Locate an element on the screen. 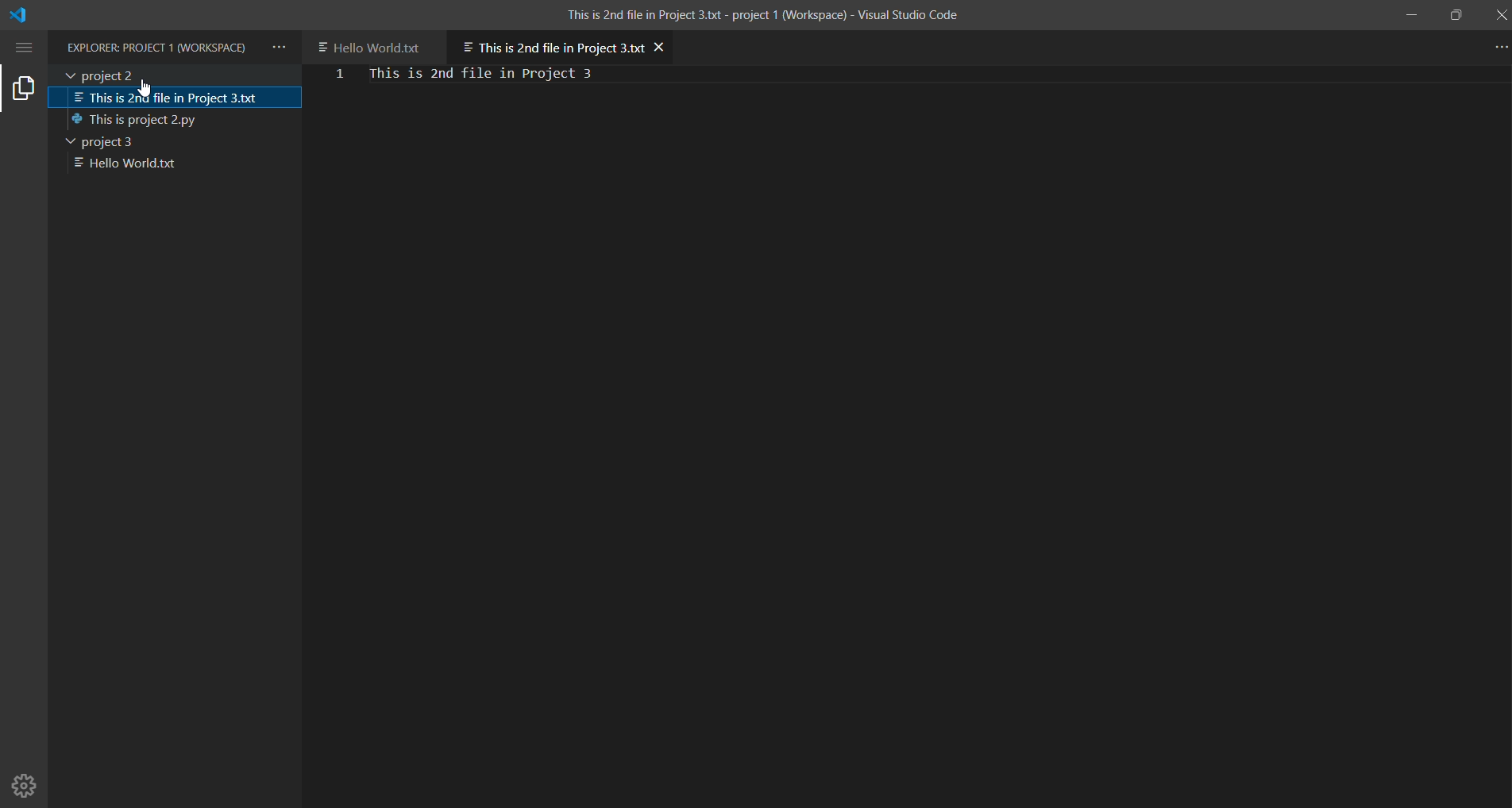  menu options is located at coordinates (26, 47).